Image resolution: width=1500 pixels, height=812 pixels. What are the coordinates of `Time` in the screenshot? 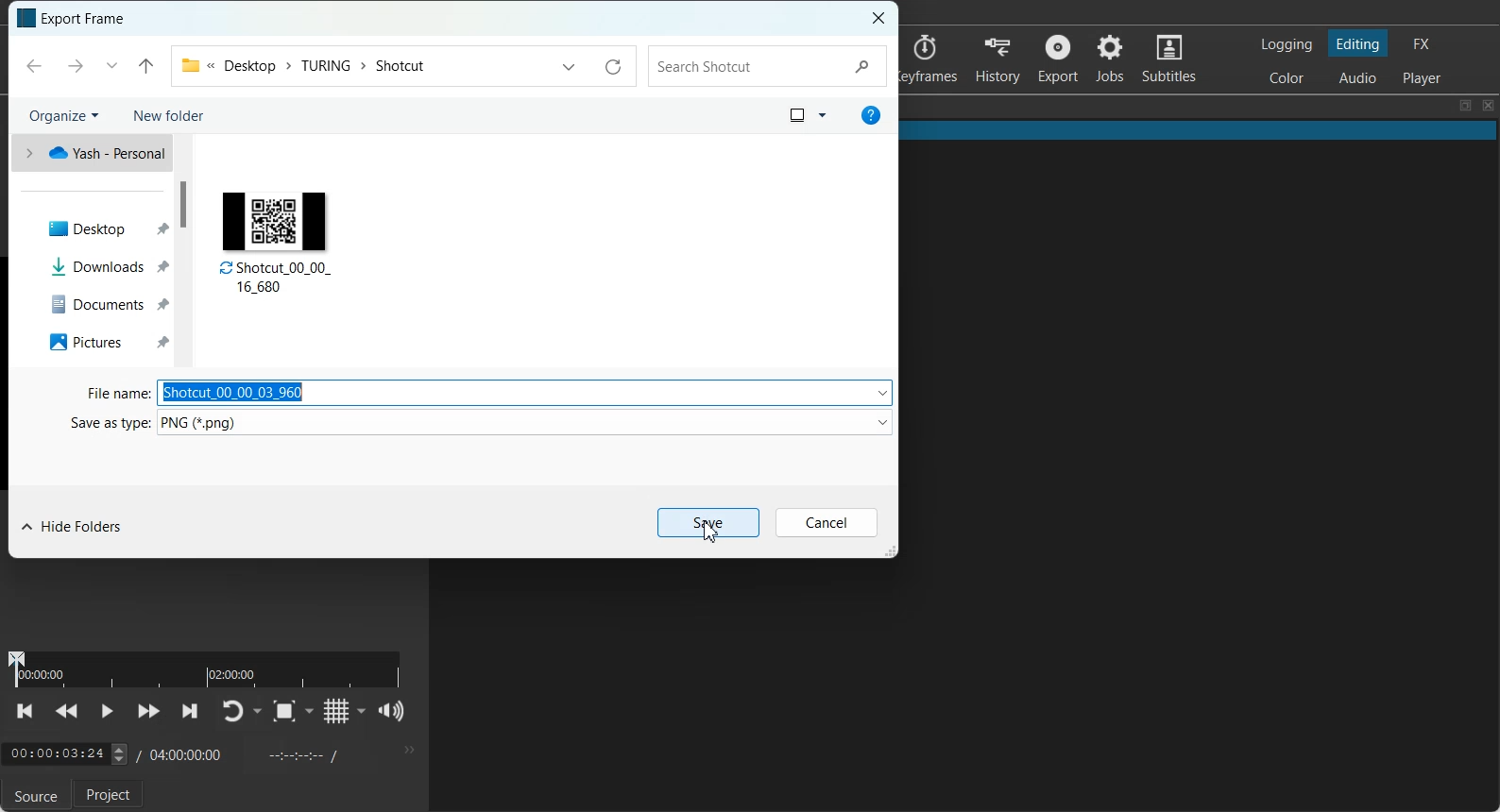 It's located at (54, 754).